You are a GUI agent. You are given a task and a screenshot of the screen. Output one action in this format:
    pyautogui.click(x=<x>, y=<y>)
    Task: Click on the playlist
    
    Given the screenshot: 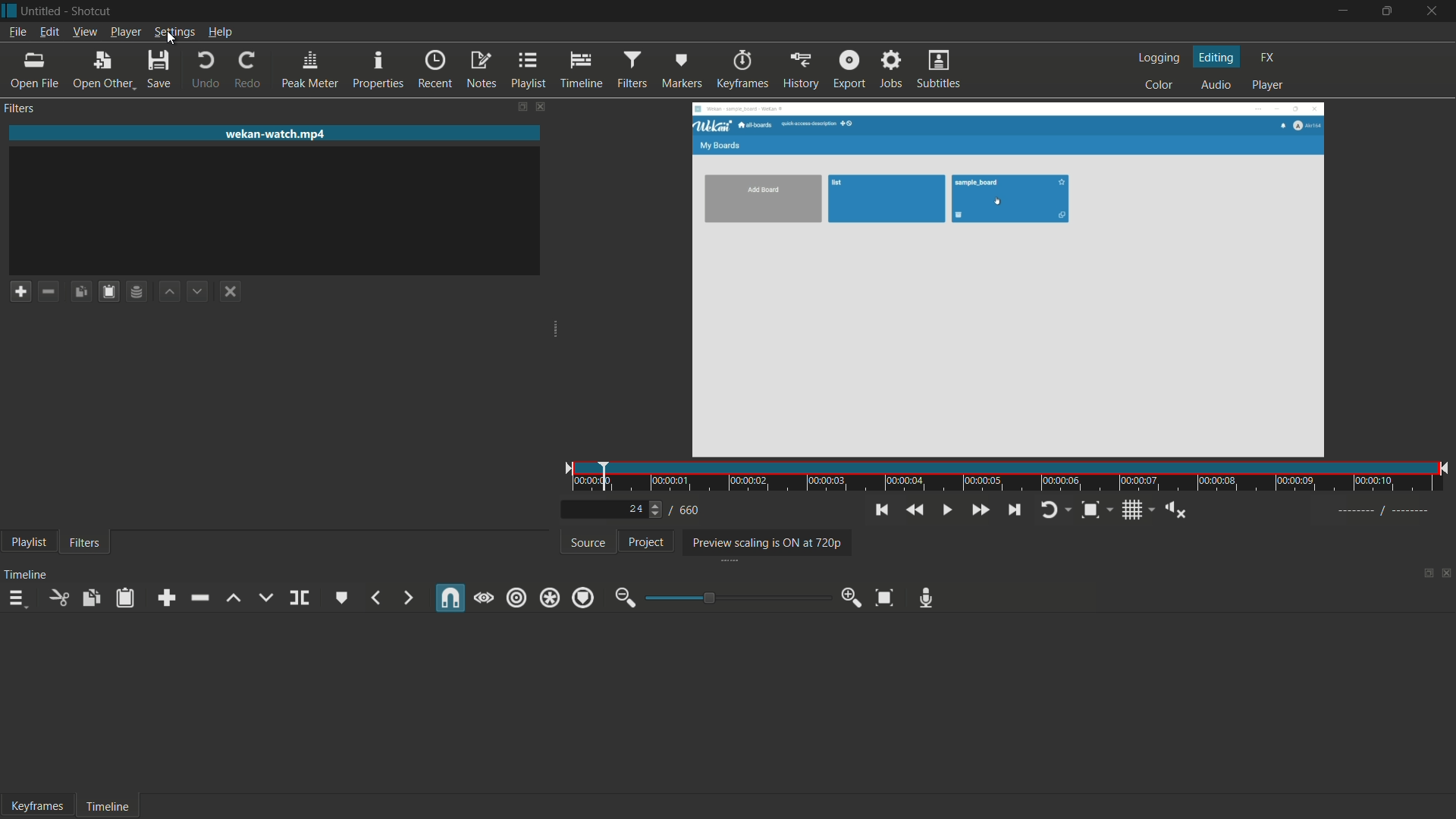 What is the action you would take?
    pyautogui.click(x=26, y=544)
    